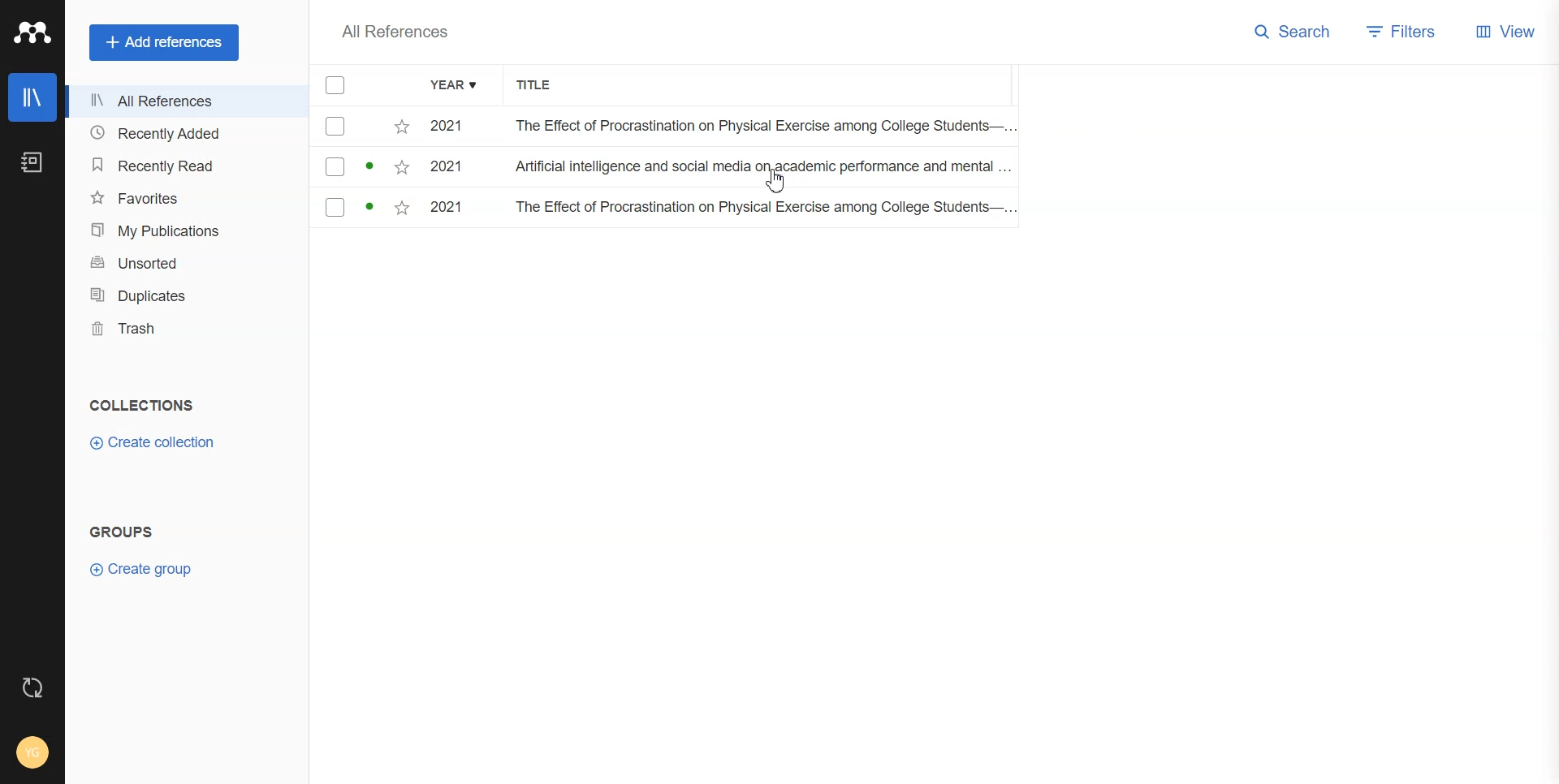 The height and width of the screenshot is (784, 1559). Describe the element at coordinates (184, 165) in the screenshot. I see `Recently Read` at that location.